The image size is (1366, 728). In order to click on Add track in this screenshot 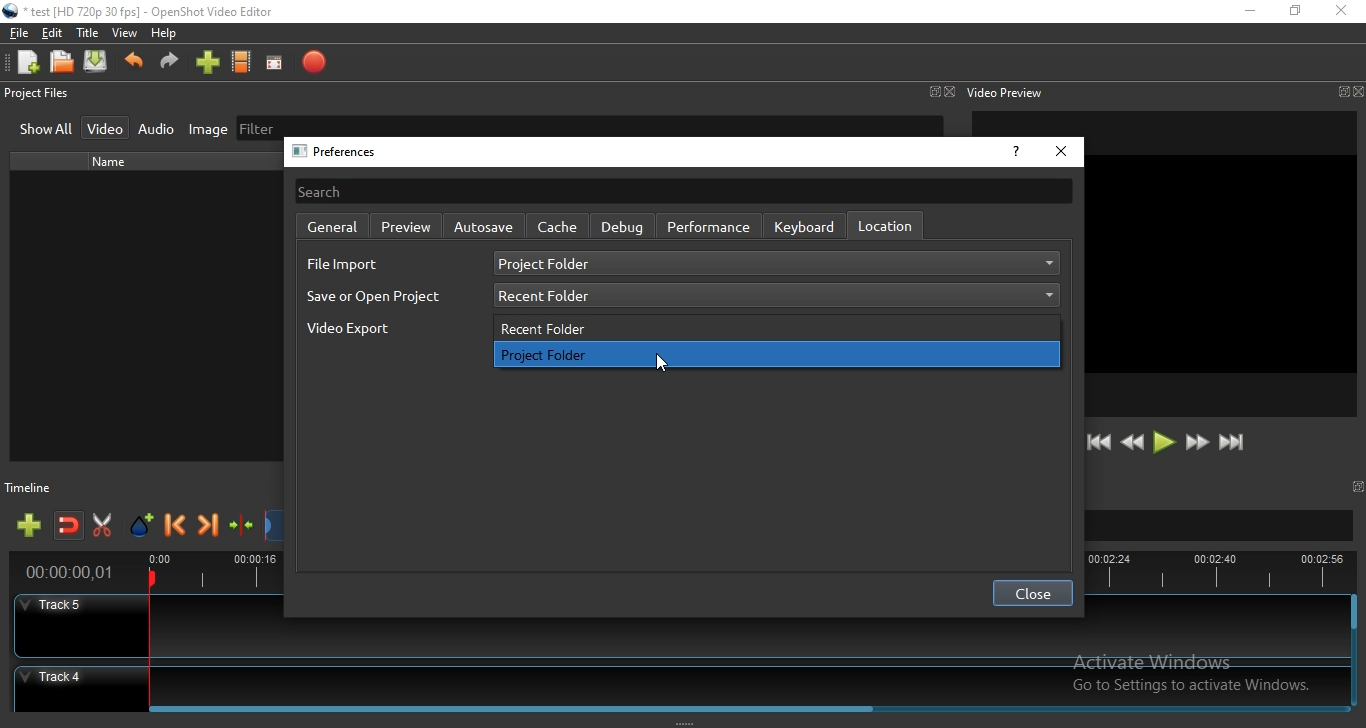, I will do `click(31, 526)`.